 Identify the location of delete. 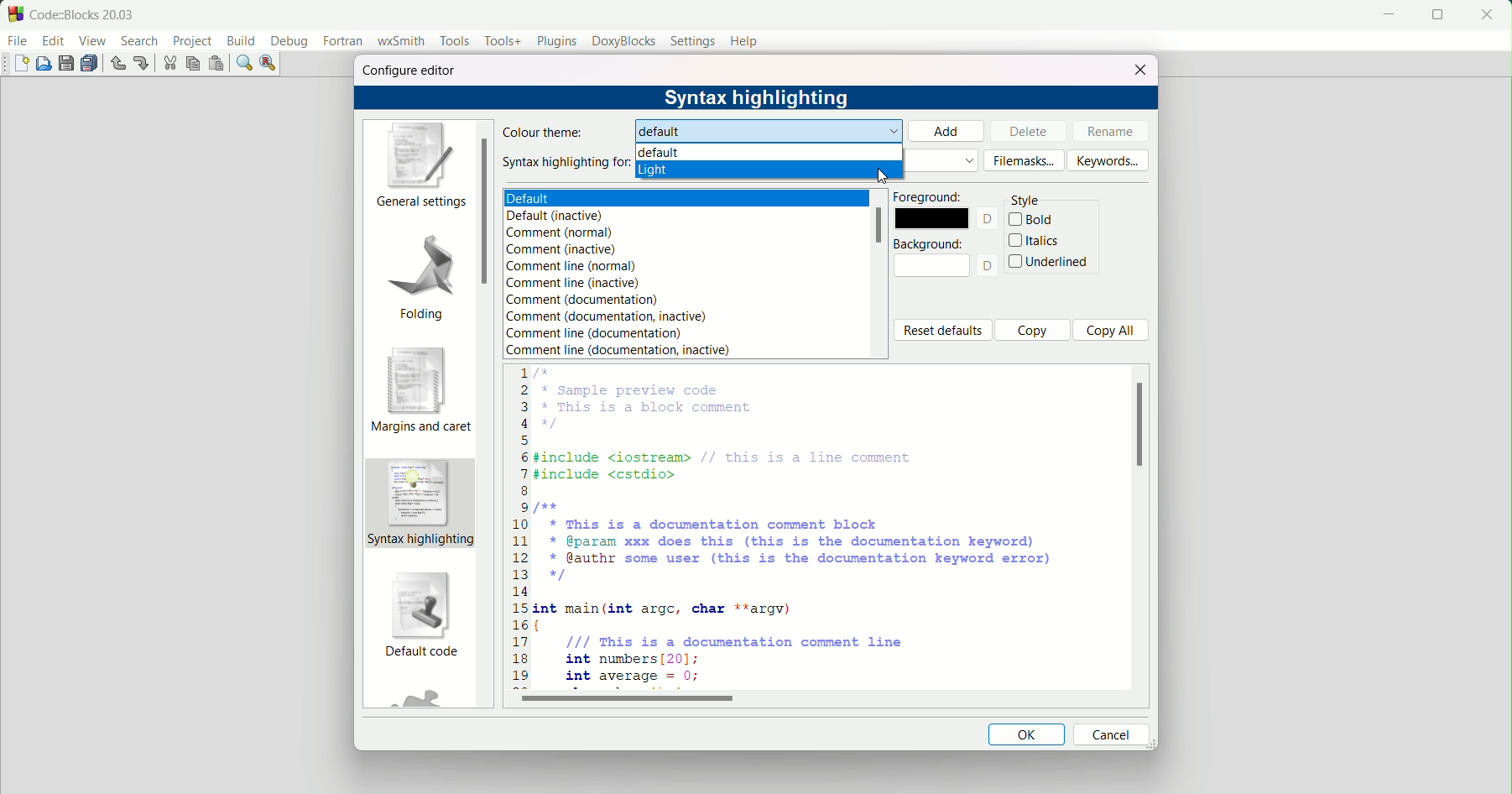
(1023, 131).